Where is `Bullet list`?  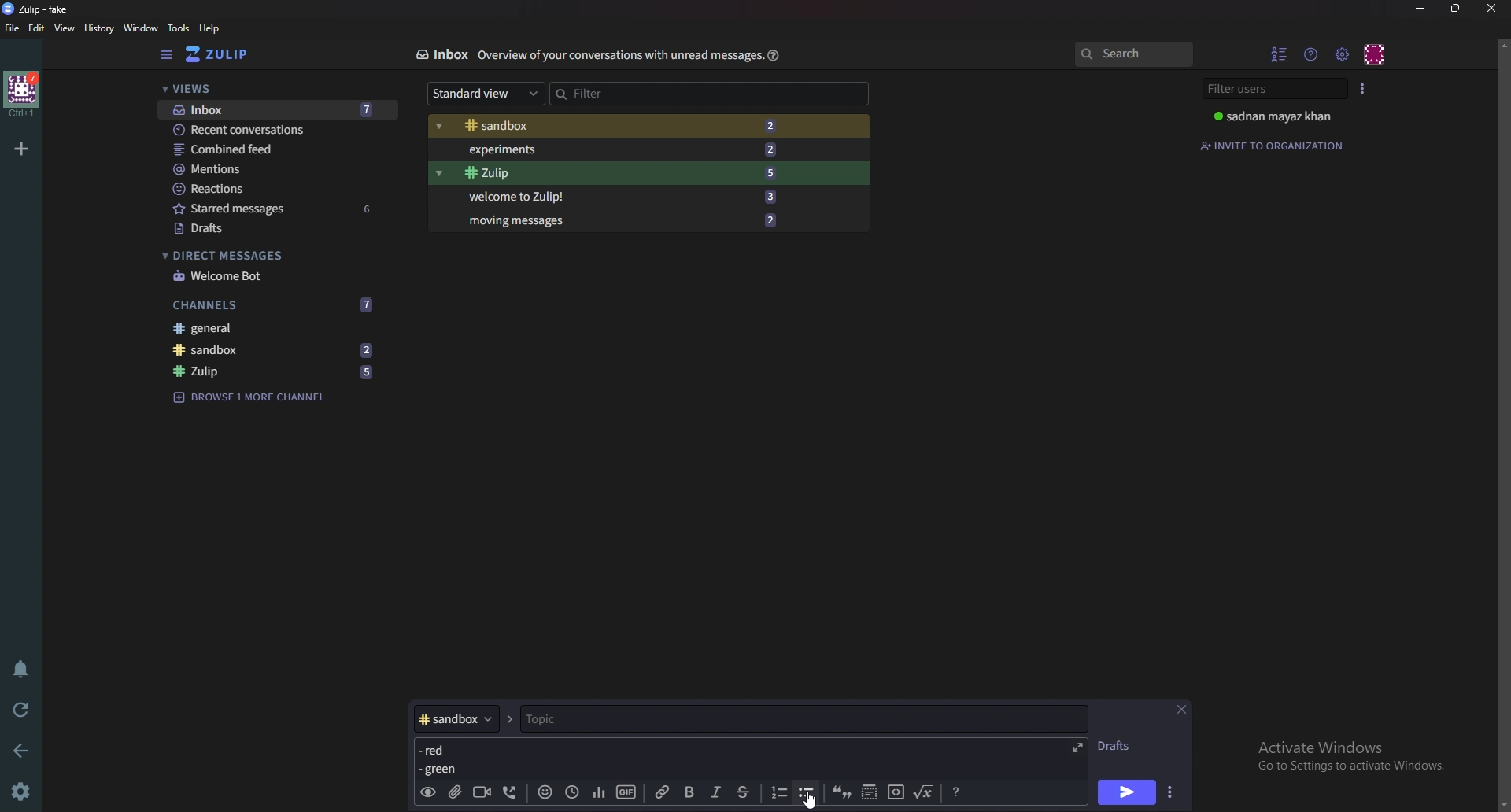 Bullet list is located at coordinates (807, 792).